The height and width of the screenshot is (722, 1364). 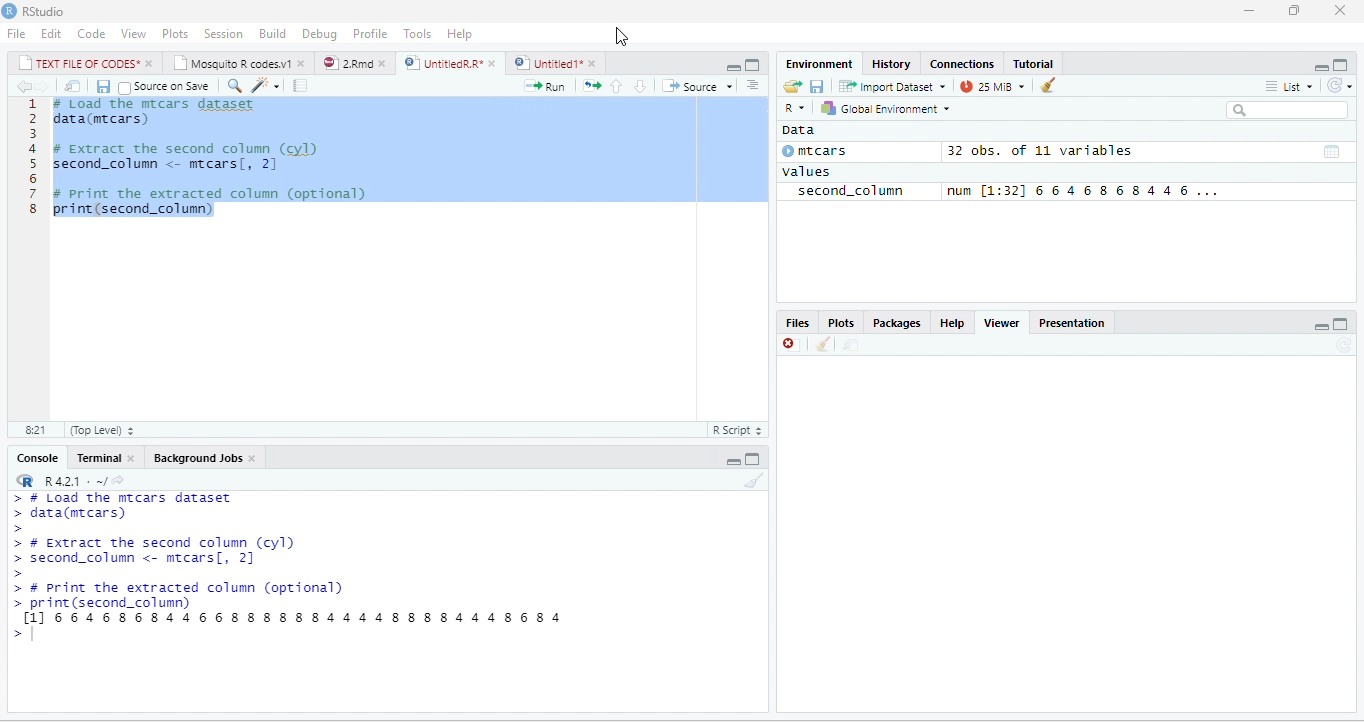 What do you see at coordinates (852, 191) in the screenshot?
I see `second_column` at bounding box center [852, 191].